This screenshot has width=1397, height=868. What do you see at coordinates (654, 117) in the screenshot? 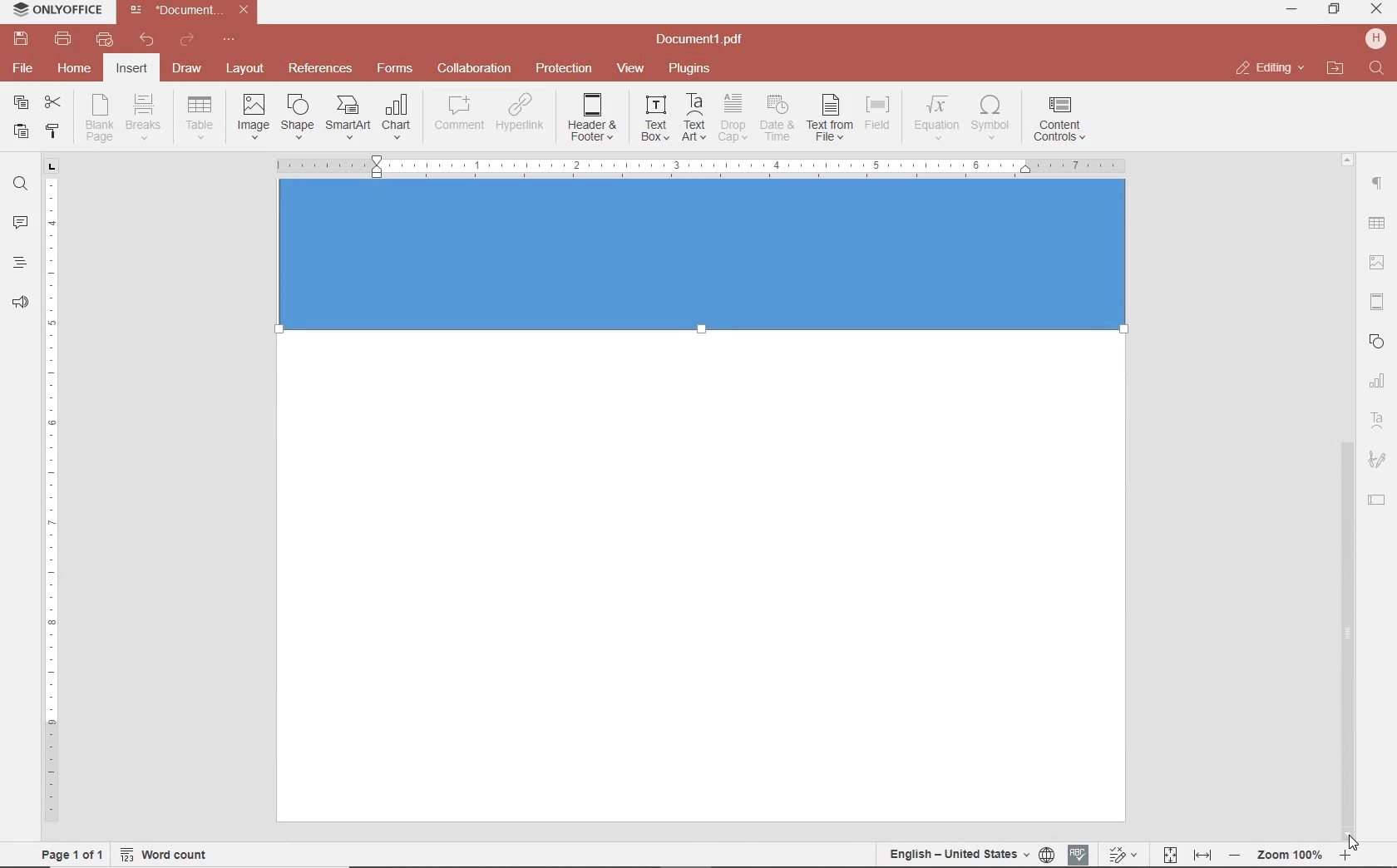
I see `INSERT TEXT BOX` at bounding box center [654, 117].